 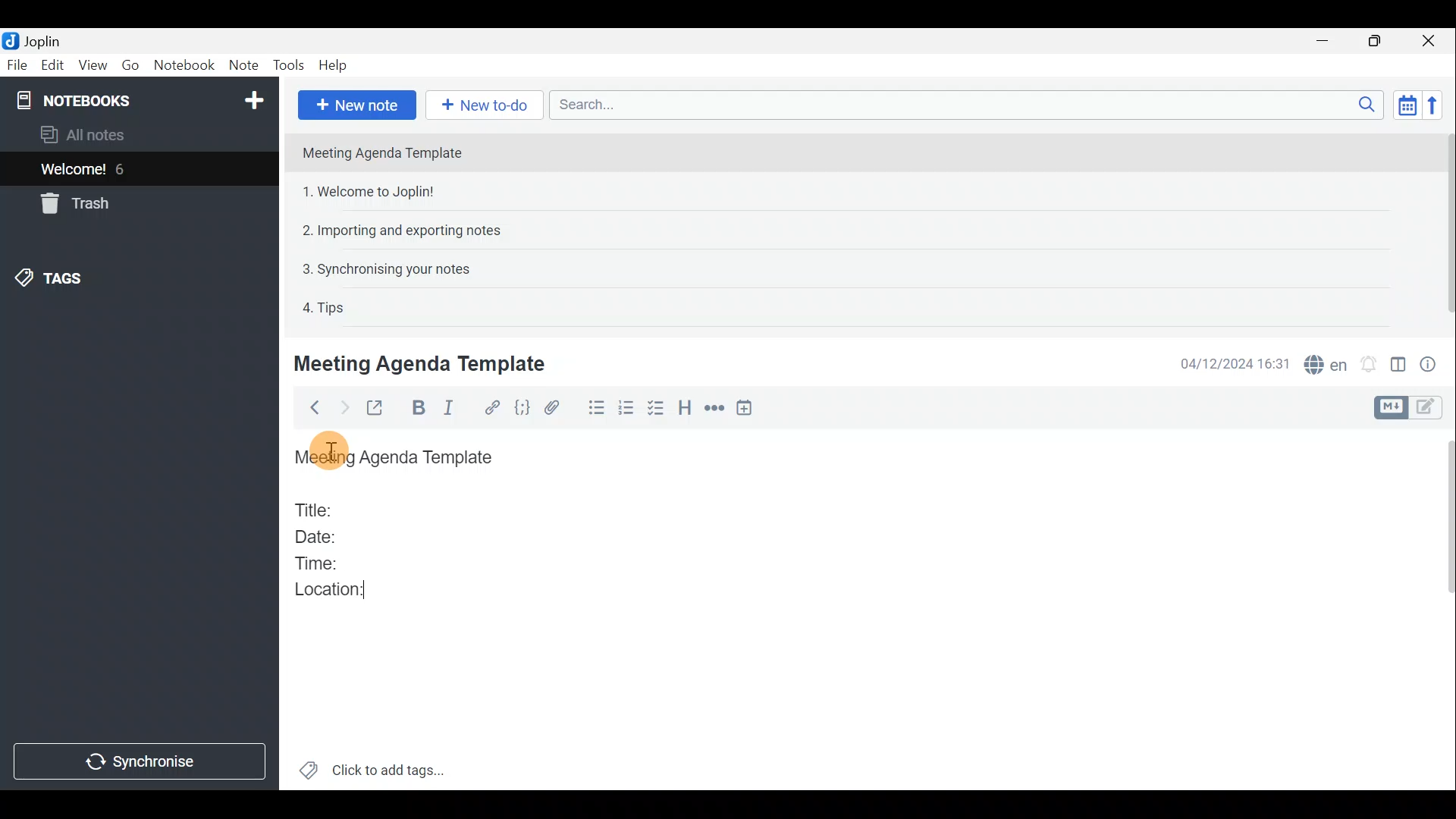 What do you see at coordinates (108, 134) in the screenshot?
I see `All notes` at bounding box center [108, 134].